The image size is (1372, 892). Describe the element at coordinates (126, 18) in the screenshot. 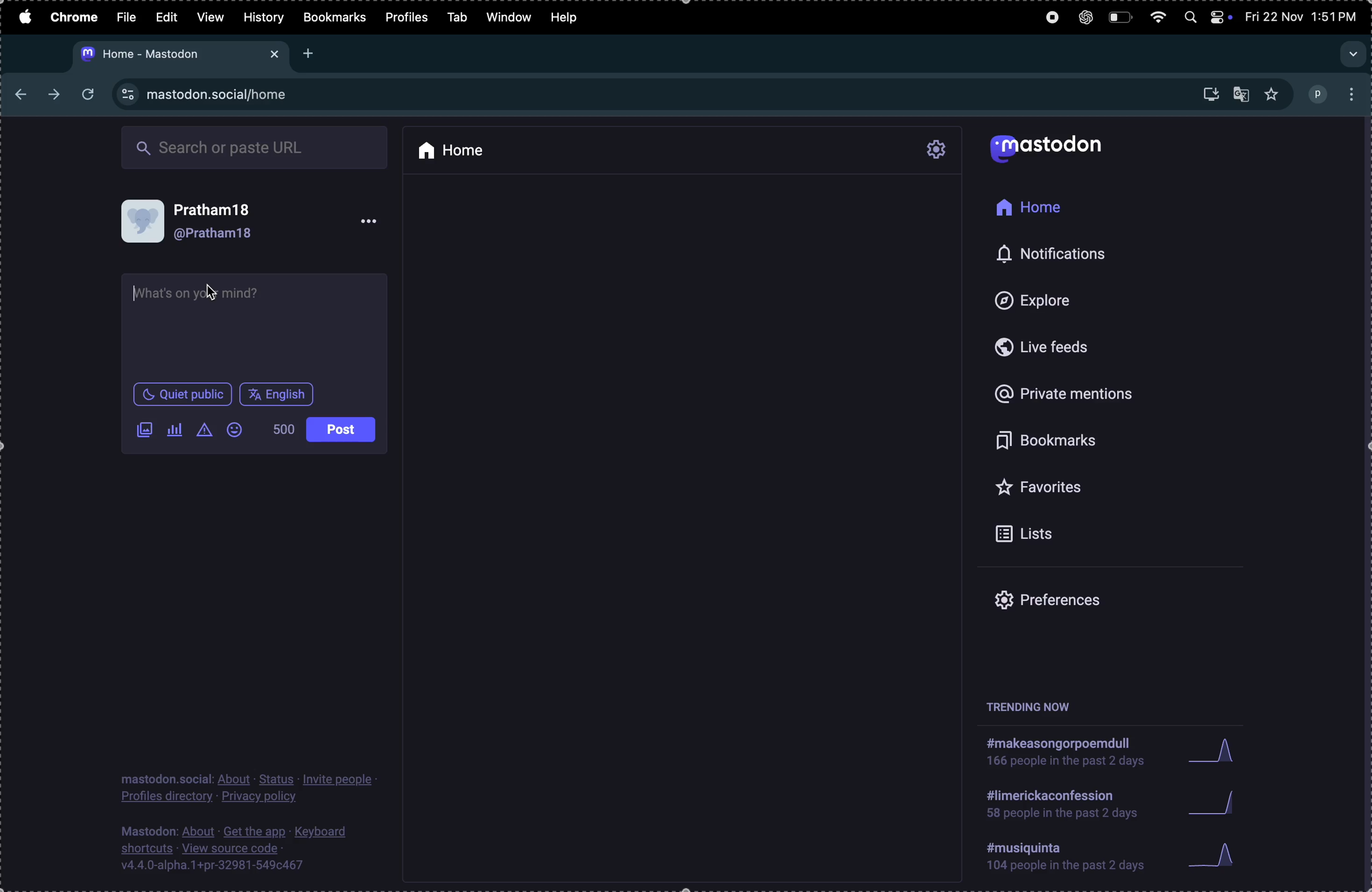

I see `file` at that location.